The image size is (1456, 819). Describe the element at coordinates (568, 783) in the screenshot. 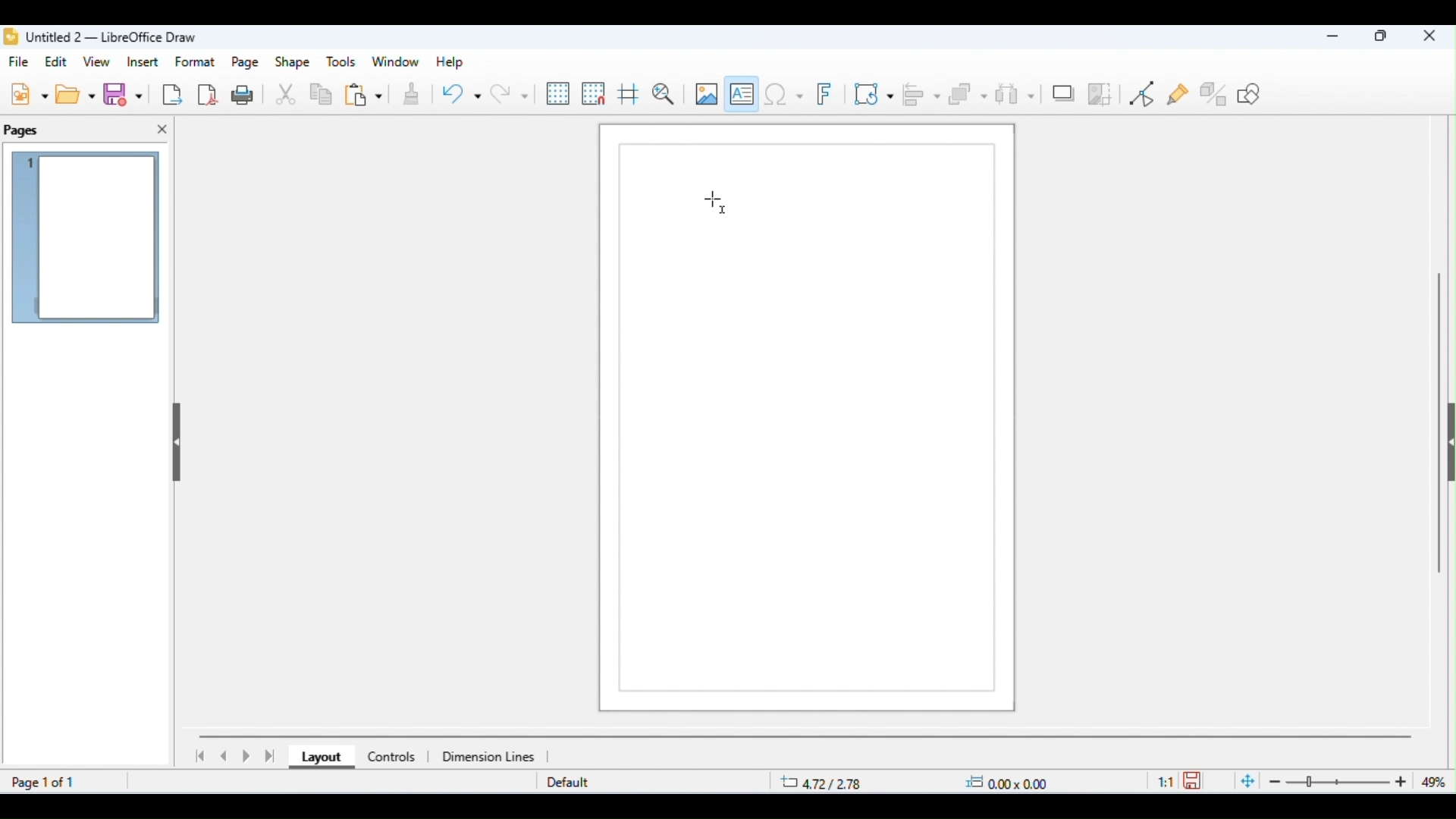

I see `default` at that location.